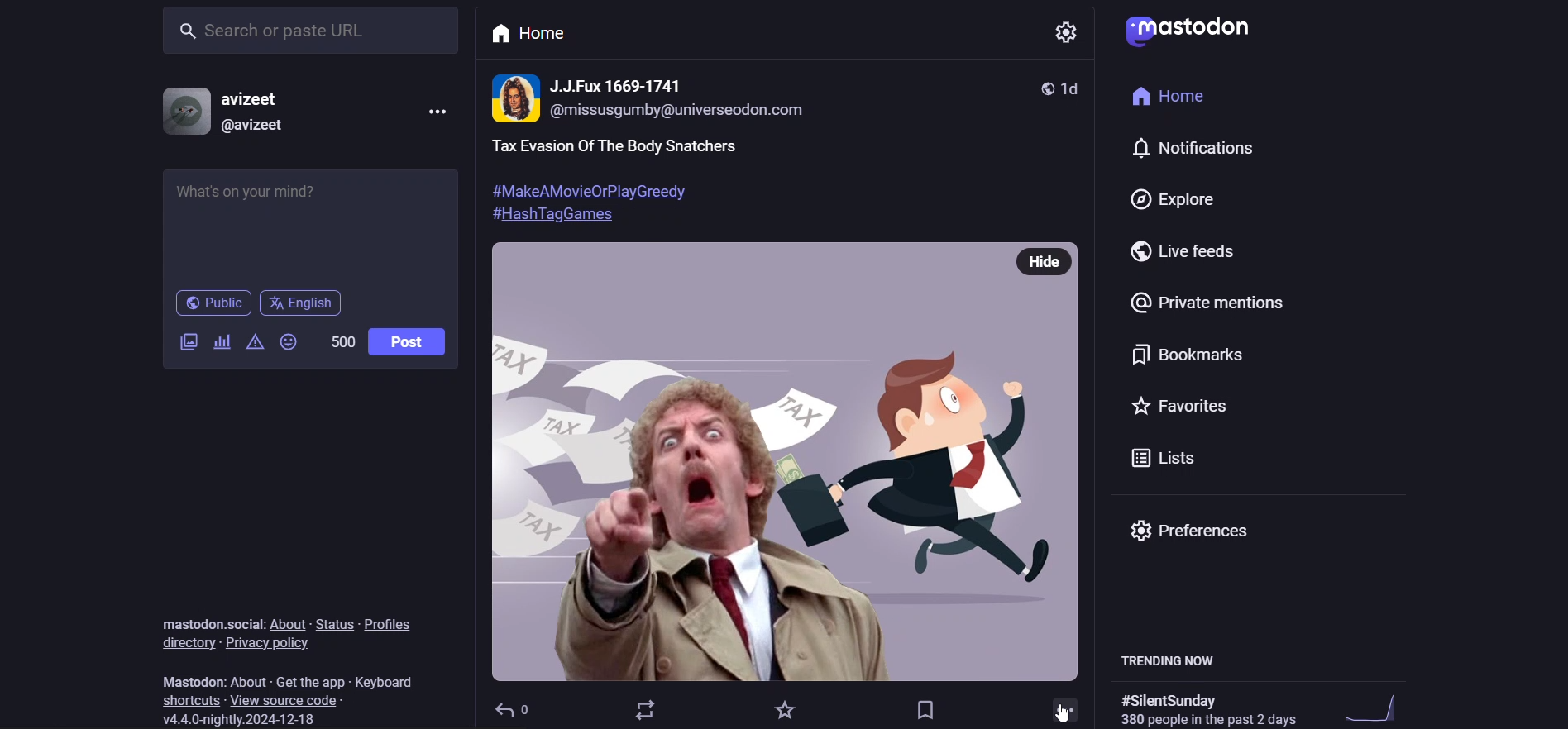 The width and height of the screenshot is (1568, 729). What do you see at coordinates (258, 127) in the screenshot?
I see `@avizeet` at bounding box center [258, 127].